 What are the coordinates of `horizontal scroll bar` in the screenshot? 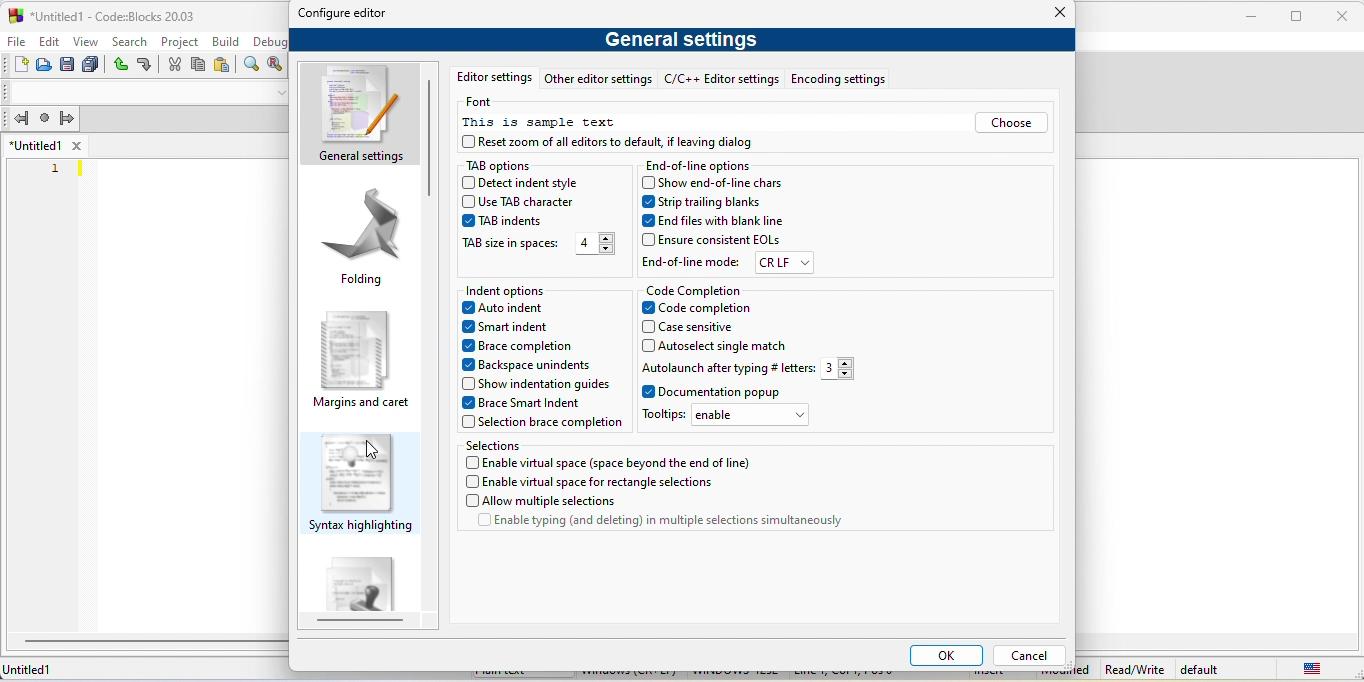 It's located at (155, 641).